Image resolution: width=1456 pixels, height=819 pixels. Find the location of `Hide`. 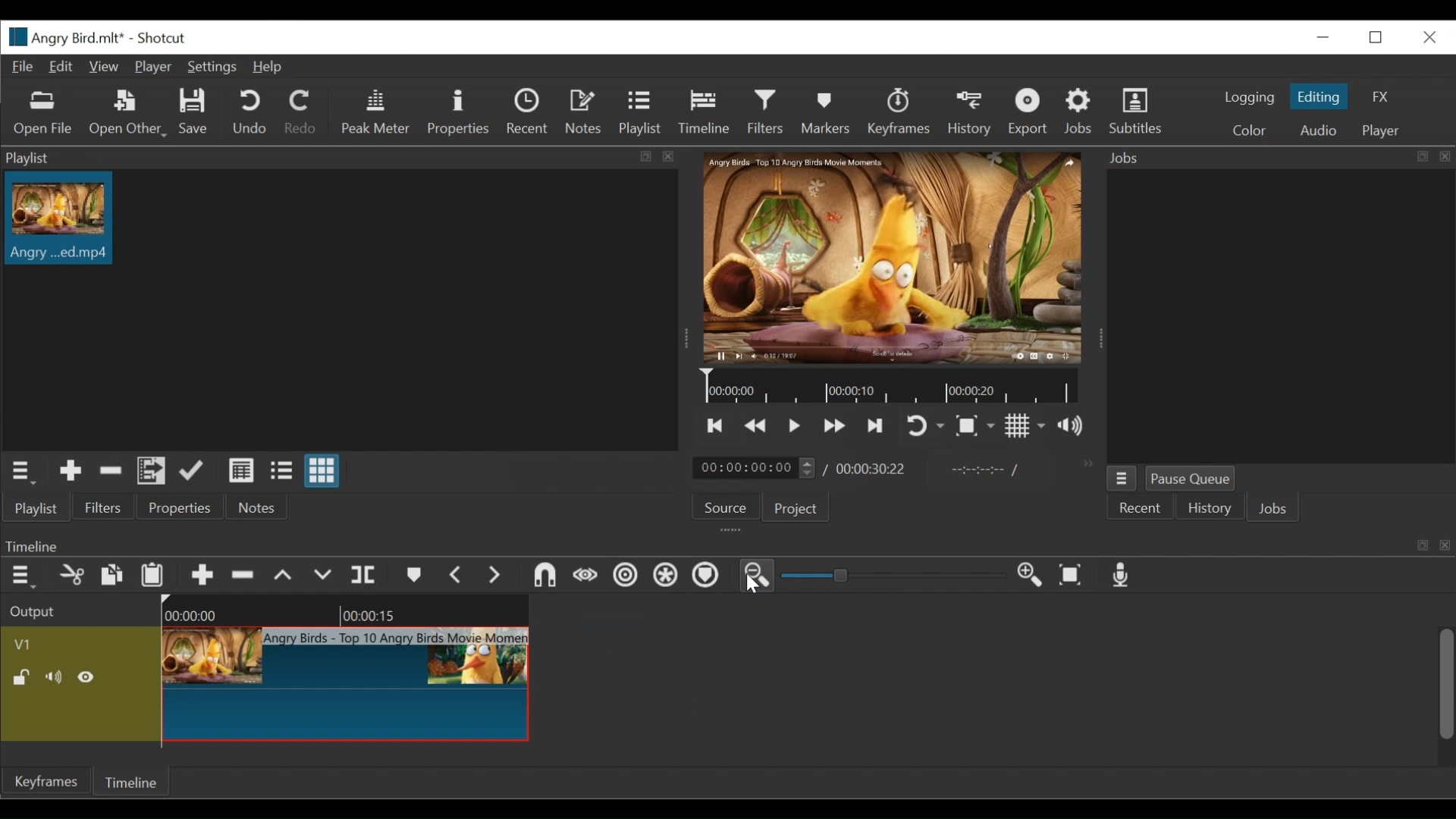

Hide is located at coordinates (87, 678).